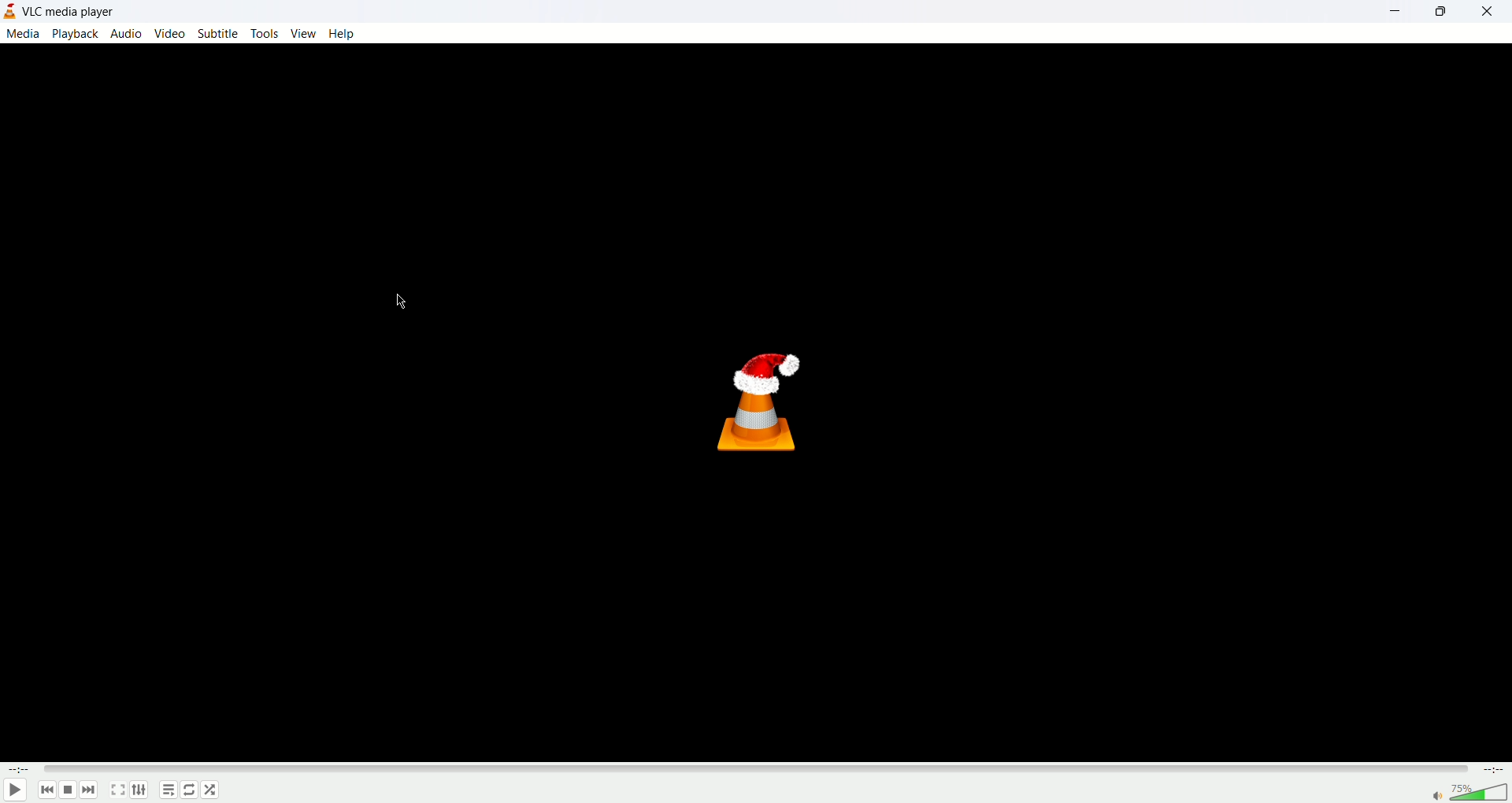  I want to click on next, so click(91, 791).